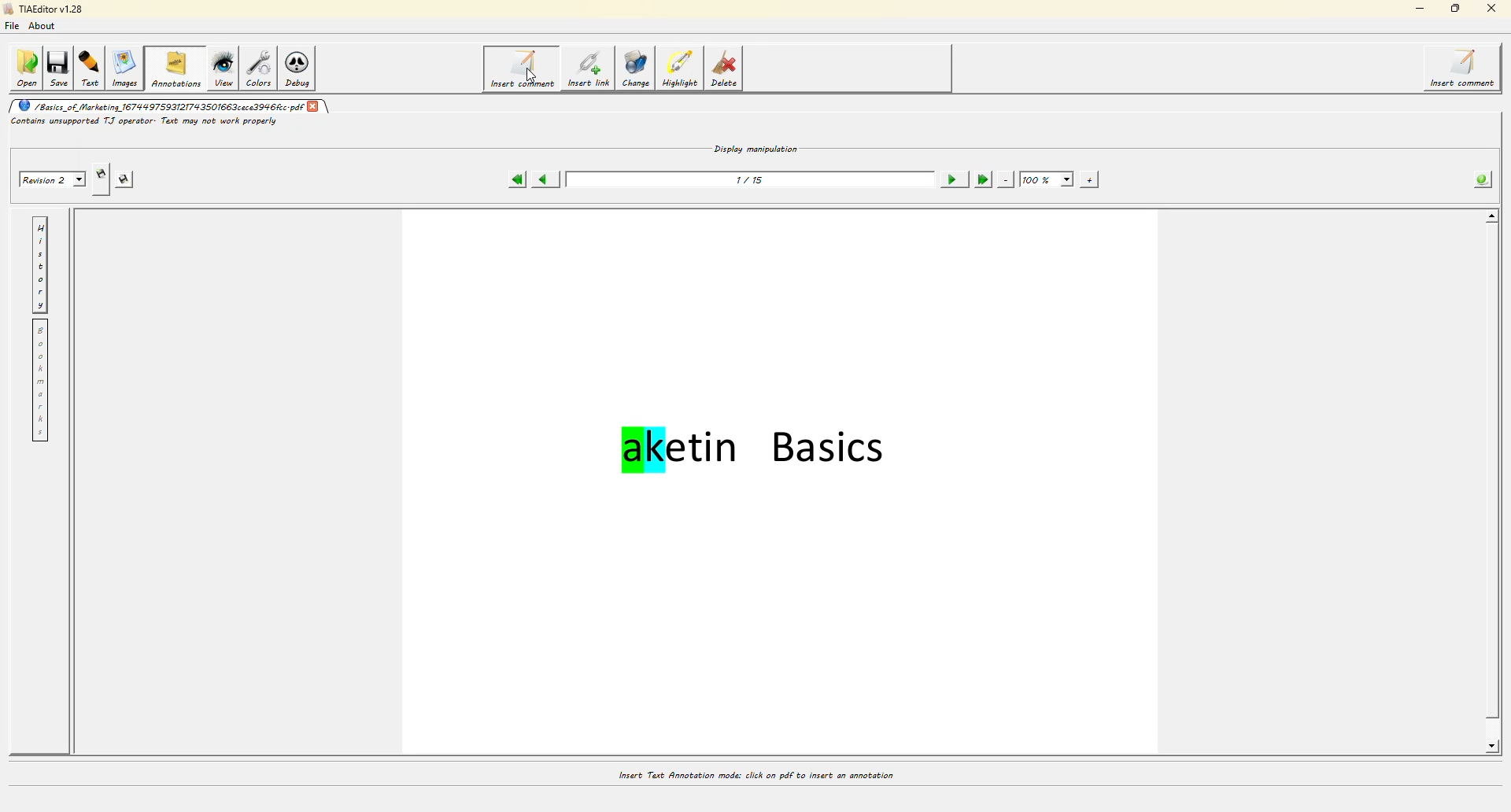 Image resolution: width=1511 pixels, height=812 pixels. What do you see at coordinates (531, 76) in the screenshot?
I see `cursor` at bounding box center [531, 76].